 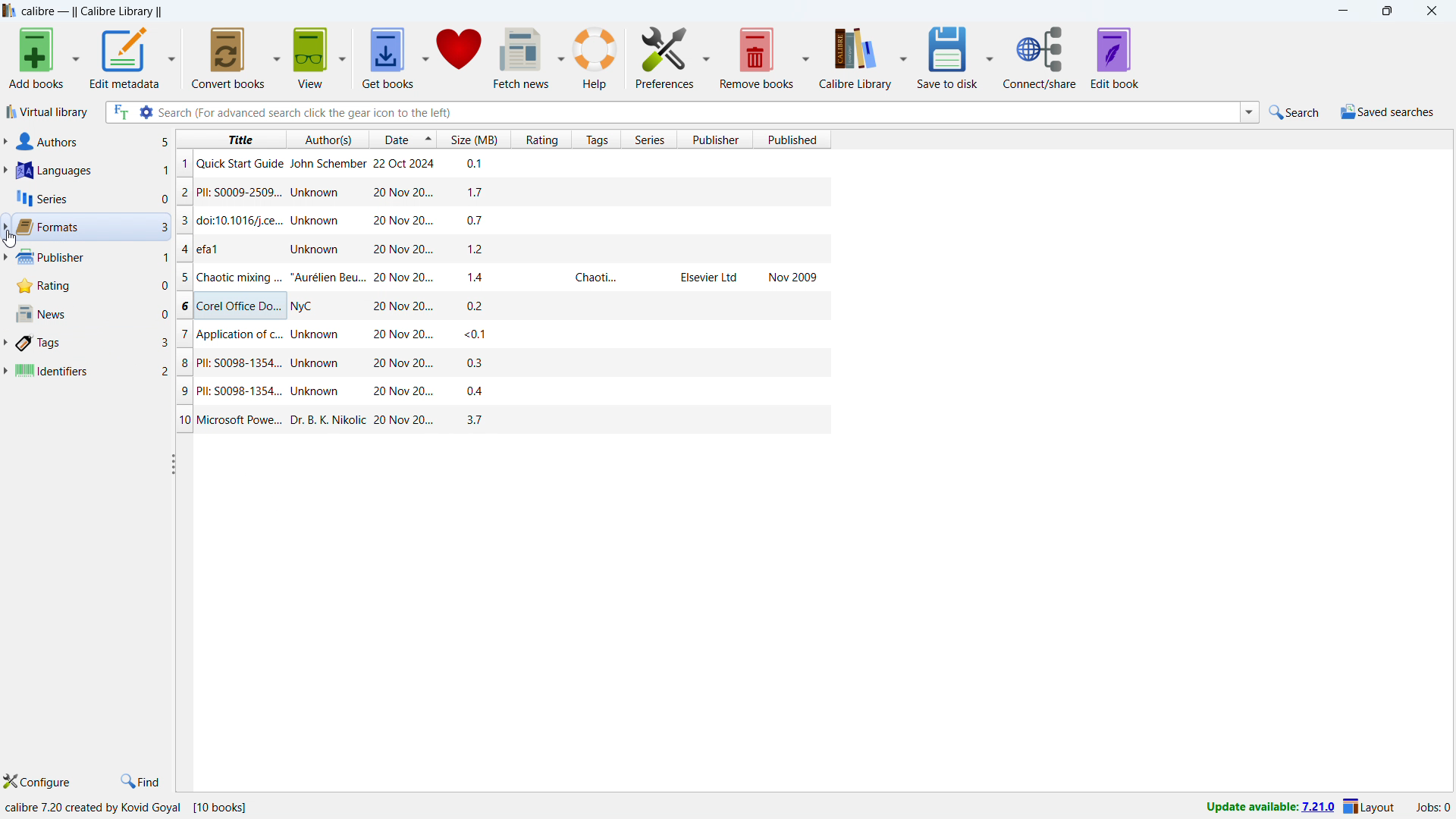 I want to click on edit metadata, so click(x=124, y=58).